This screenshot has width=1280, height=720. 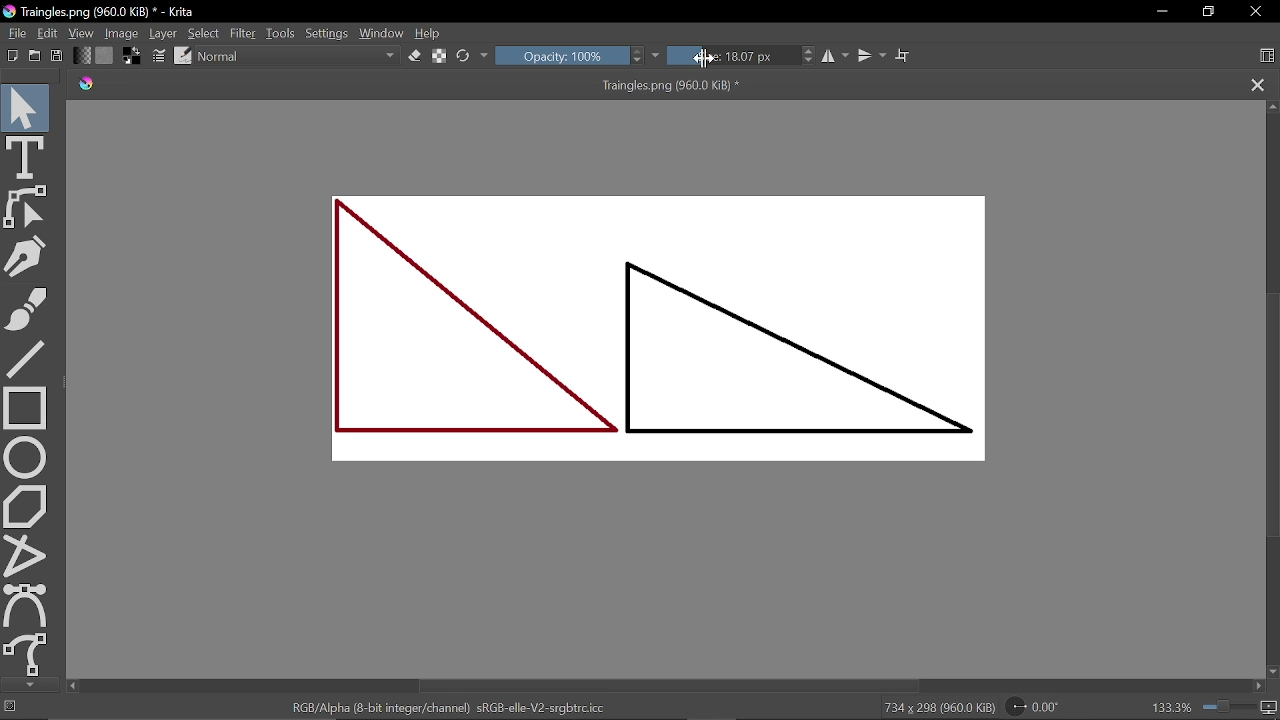 I want to click on Move up, so click(x=1272, y=108).